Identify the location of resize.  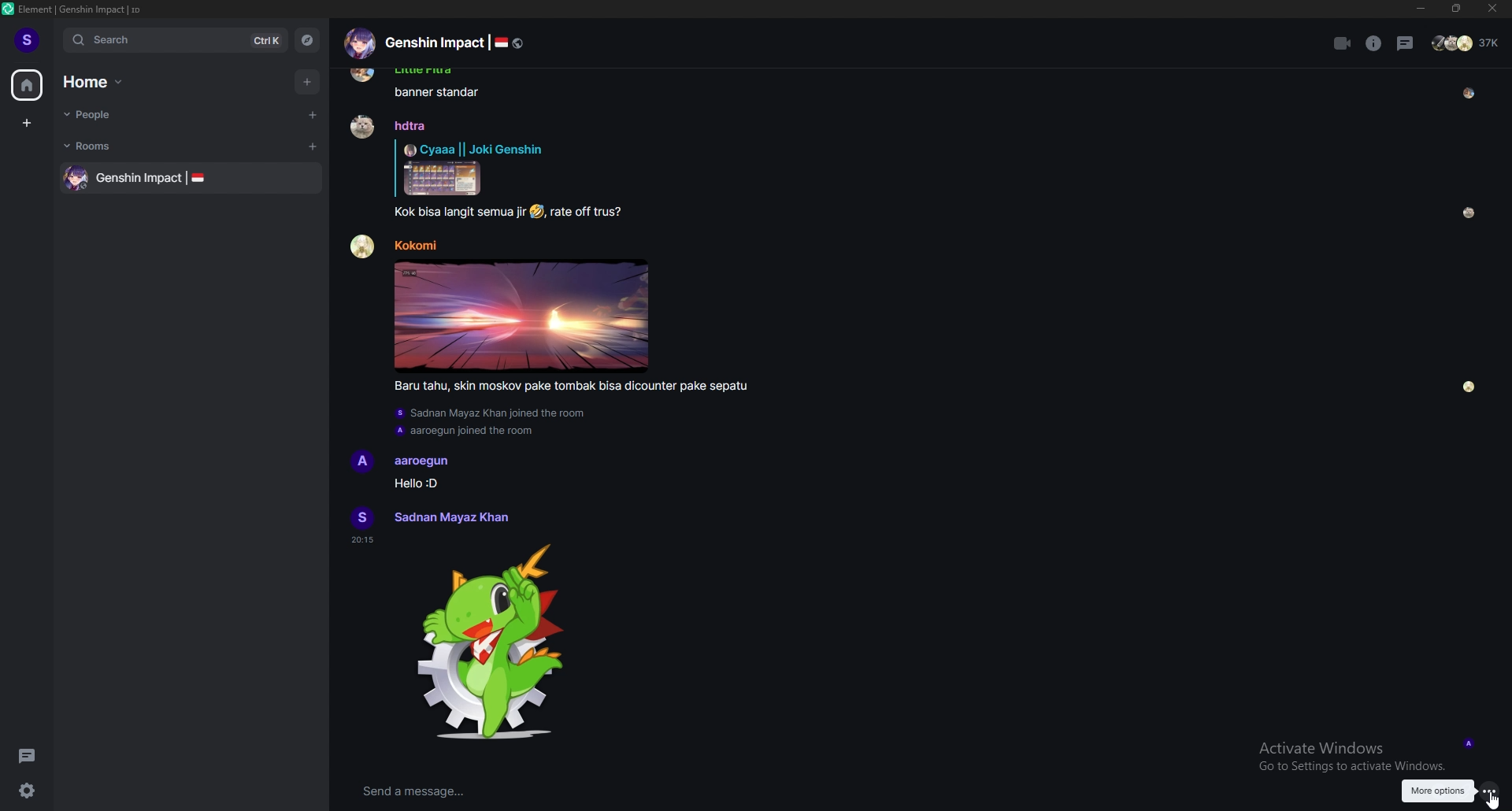
(1456, 9).